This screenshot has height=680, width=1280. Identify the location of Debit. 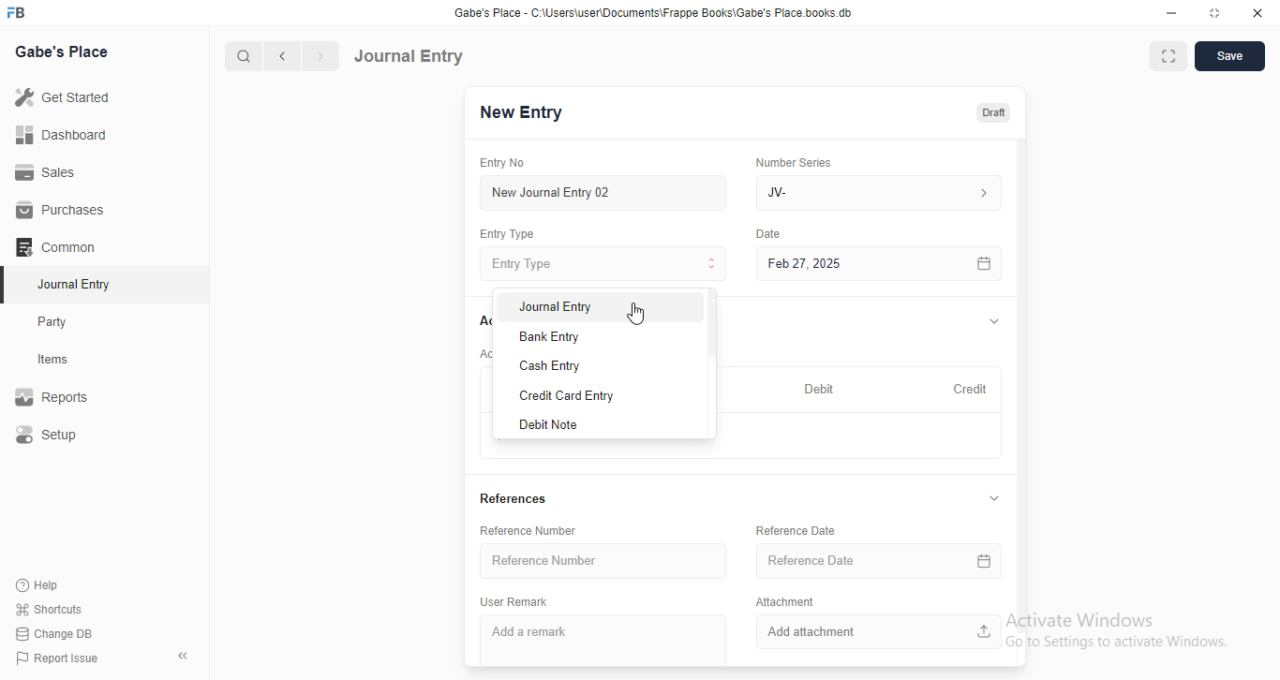
(819, 390).